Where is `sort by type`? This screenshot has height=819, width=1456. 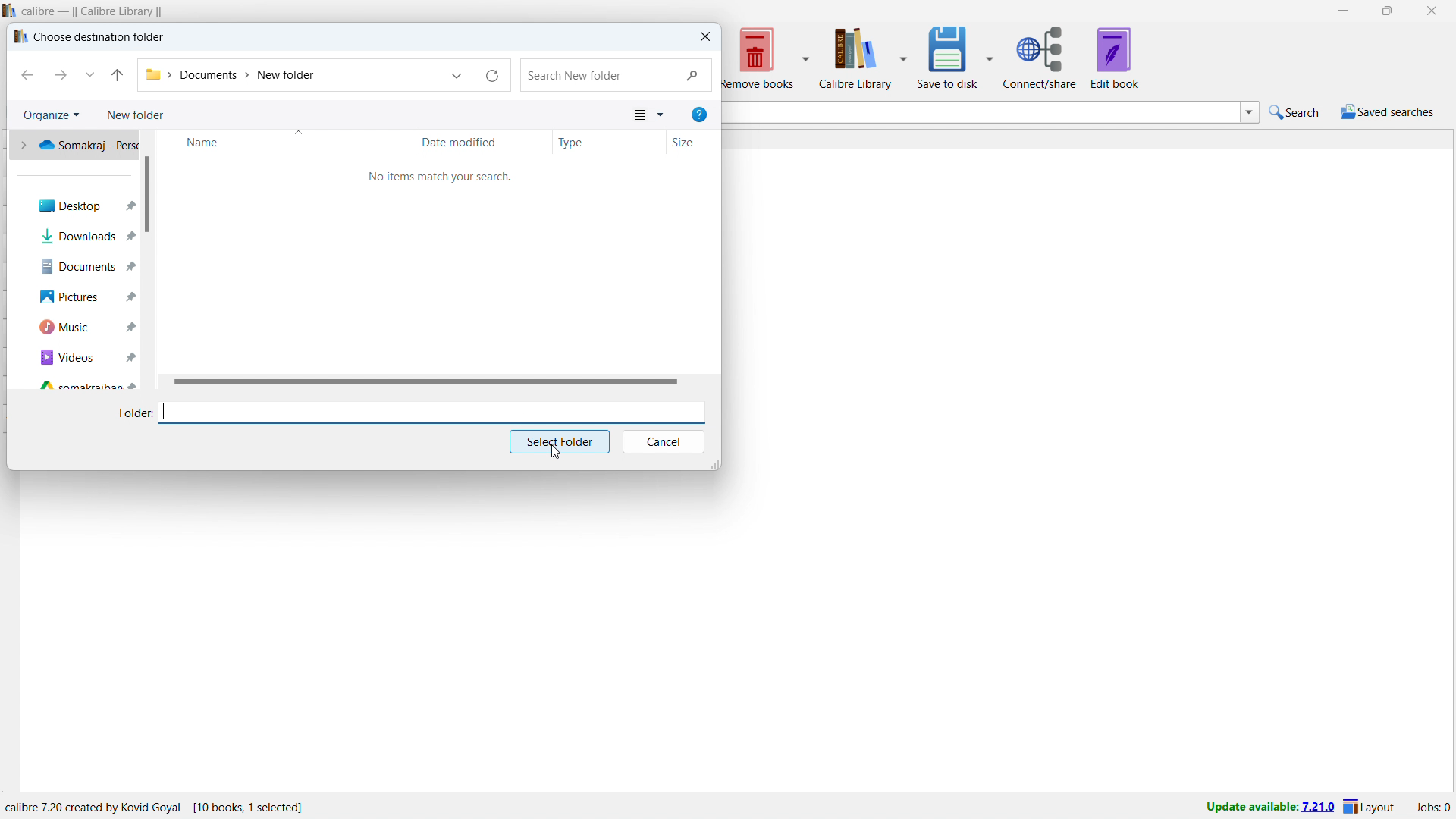
sort by type is located at coordinates (609, 142).